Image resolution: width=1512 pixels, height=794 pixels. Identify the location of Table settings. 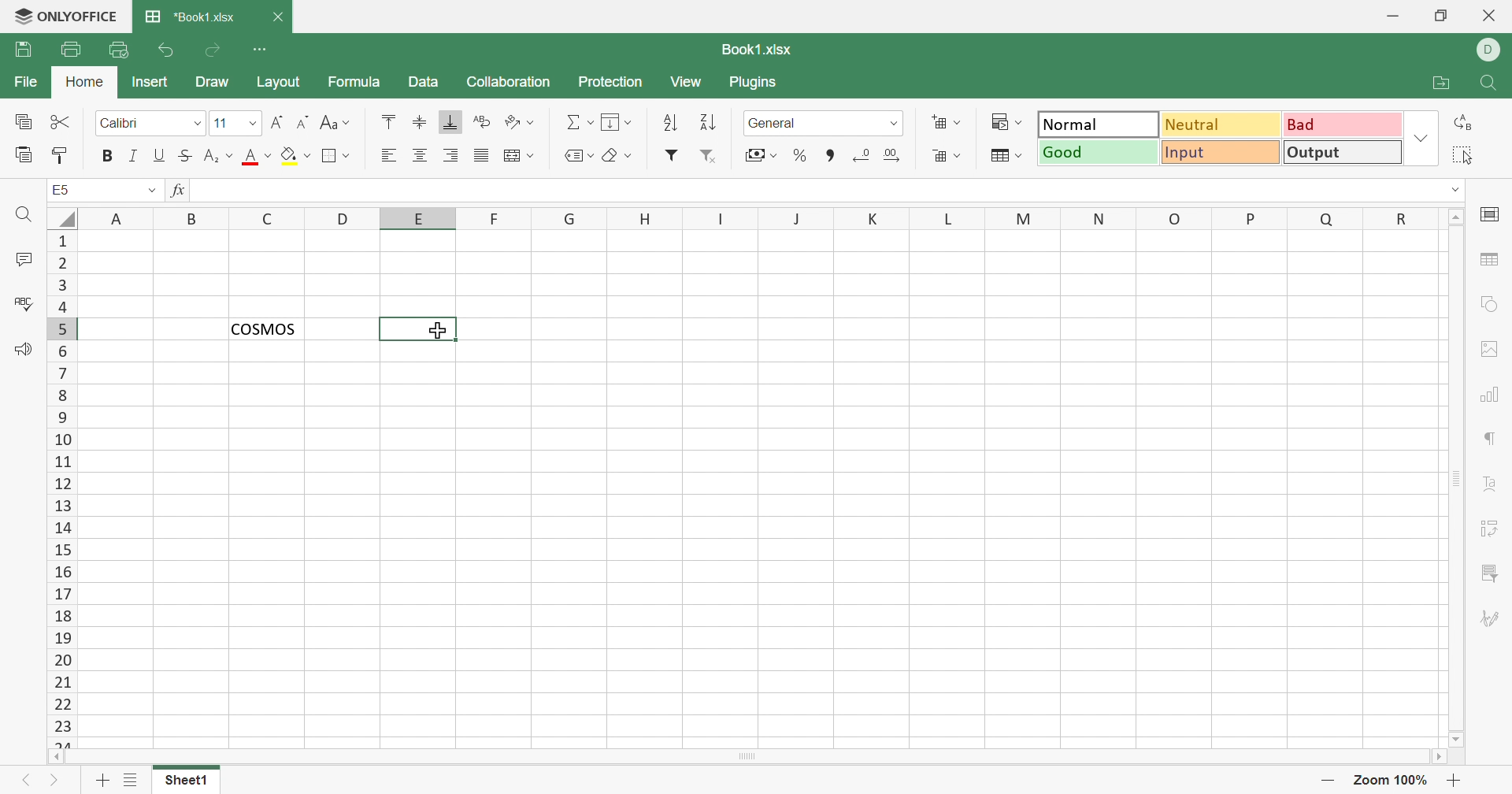
(1489, 258).